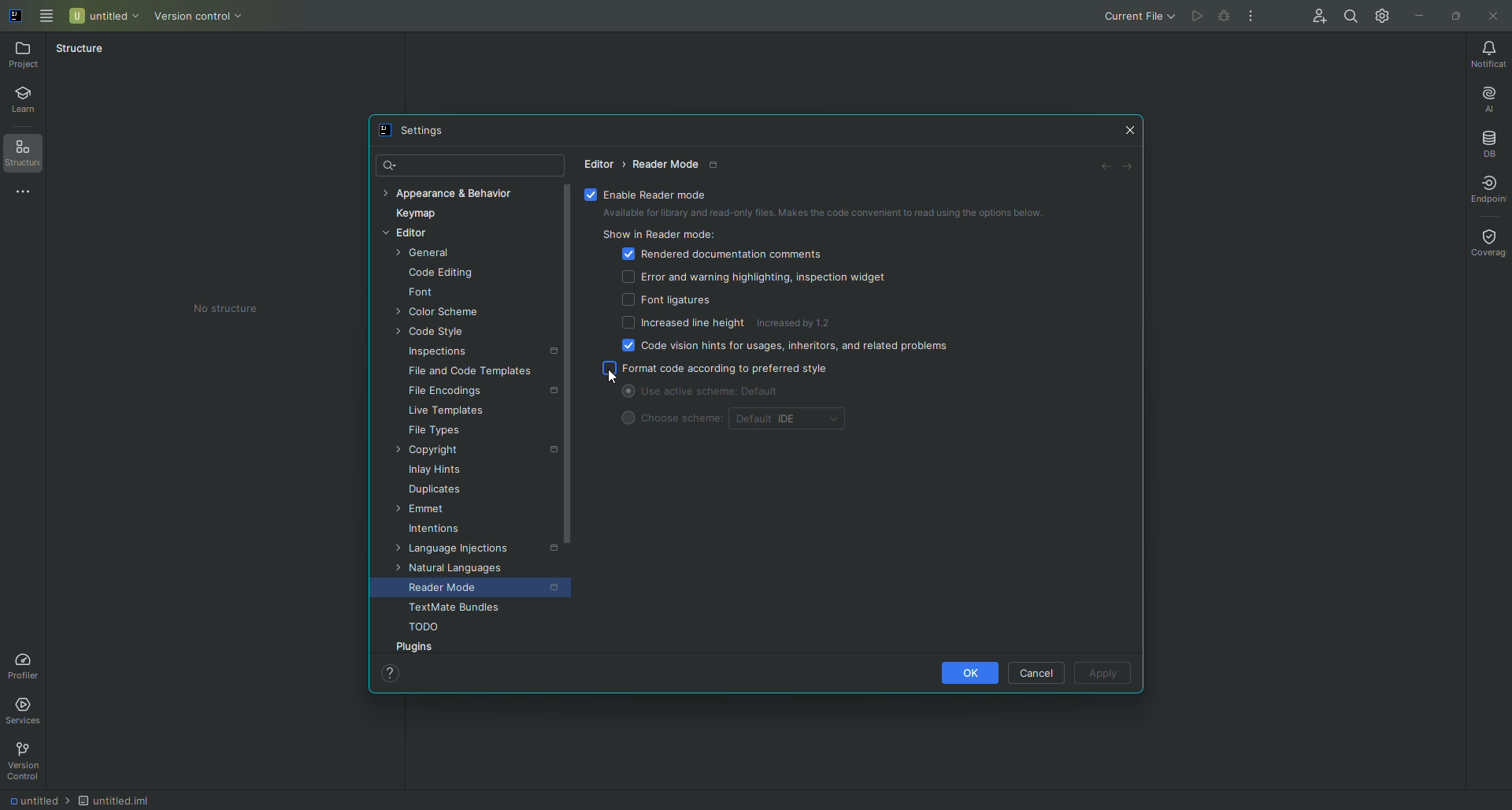 Image resolution: width=1512 pixels, height=810 pixels. Describe the element at coordinates (469, 451) in the screenshot. I see `Copyright` at that location.